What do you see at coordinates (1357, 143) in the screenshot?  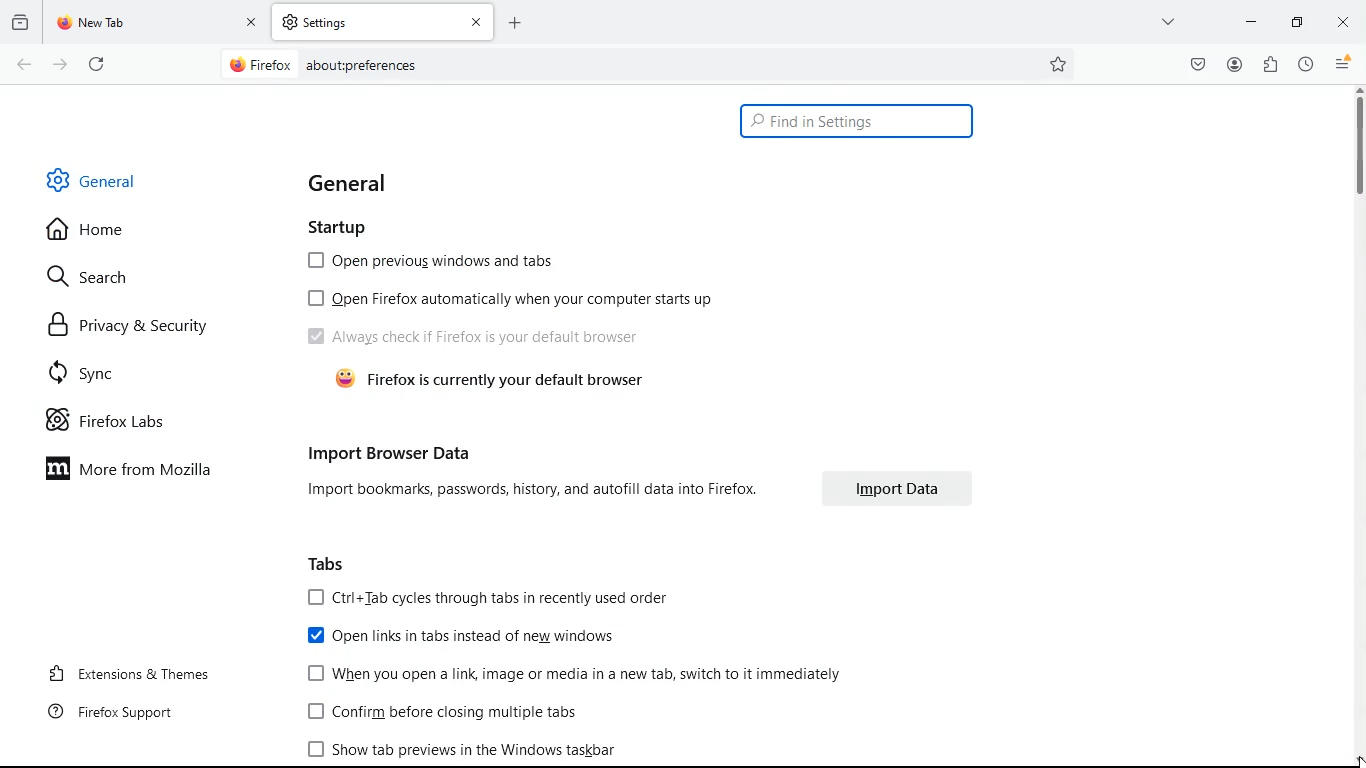 I see `scroll bar` at bounding box center [1357, 143].